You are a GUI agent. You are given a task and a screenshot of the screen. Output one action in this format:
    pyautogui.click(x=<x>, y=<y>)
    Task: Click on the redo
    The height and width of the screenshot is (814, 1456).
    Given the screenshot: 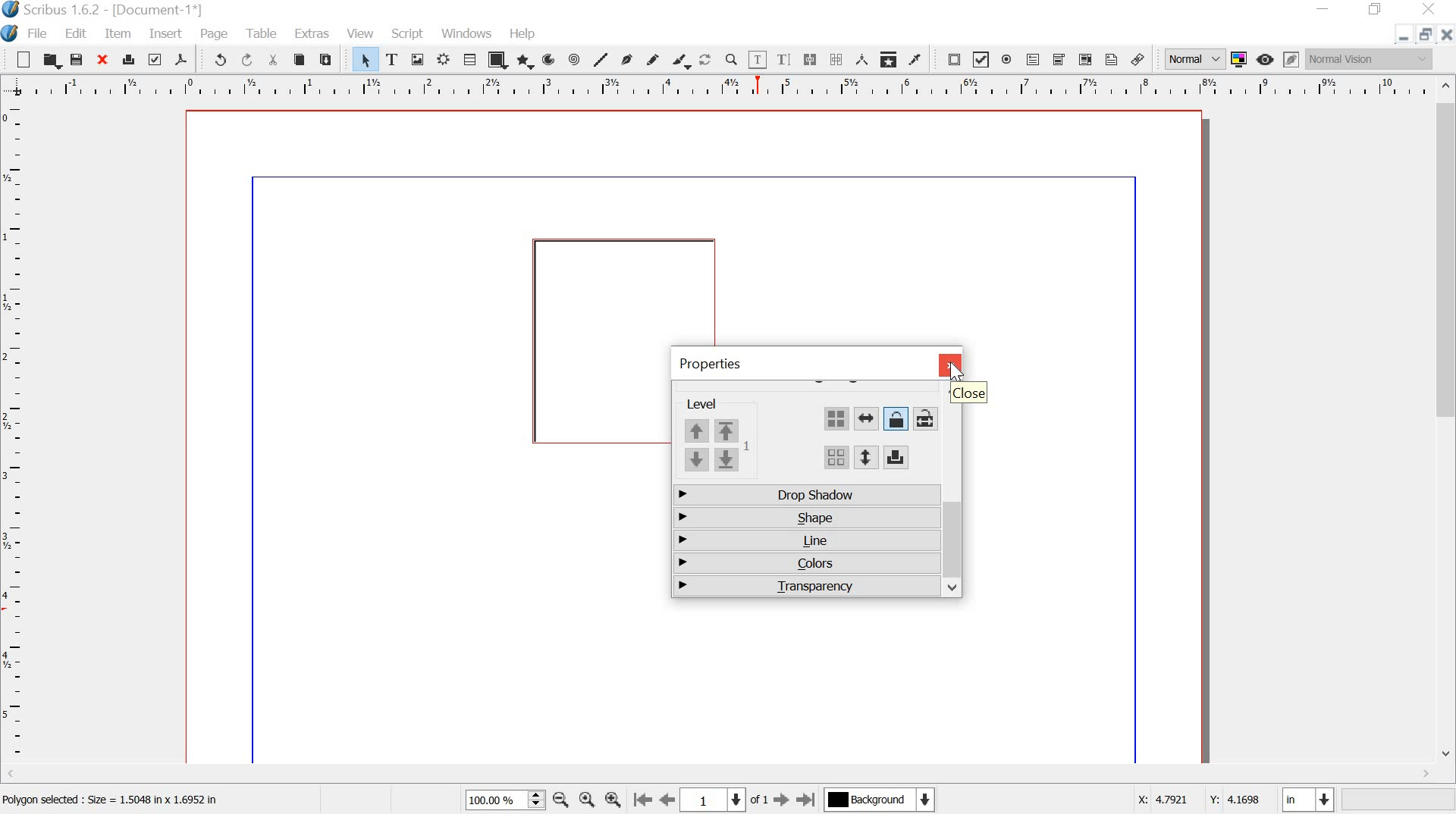 What is the action you would take?
    pyautogui.click(x=246, y=61)
    